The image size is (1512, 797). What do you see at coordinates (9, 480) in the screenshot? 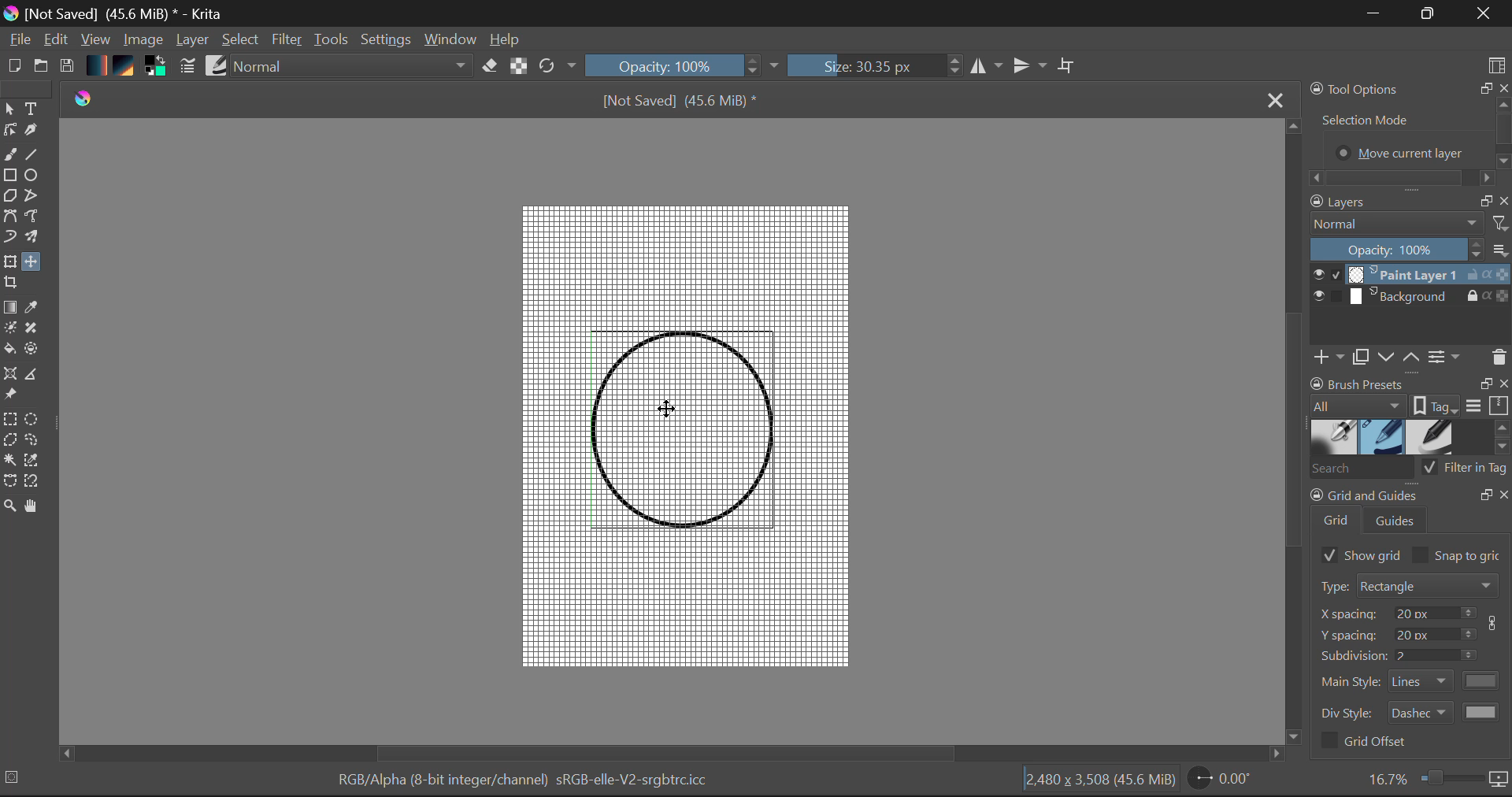
I see `Bezier Curve Selection` at bounding box center [9, 480].